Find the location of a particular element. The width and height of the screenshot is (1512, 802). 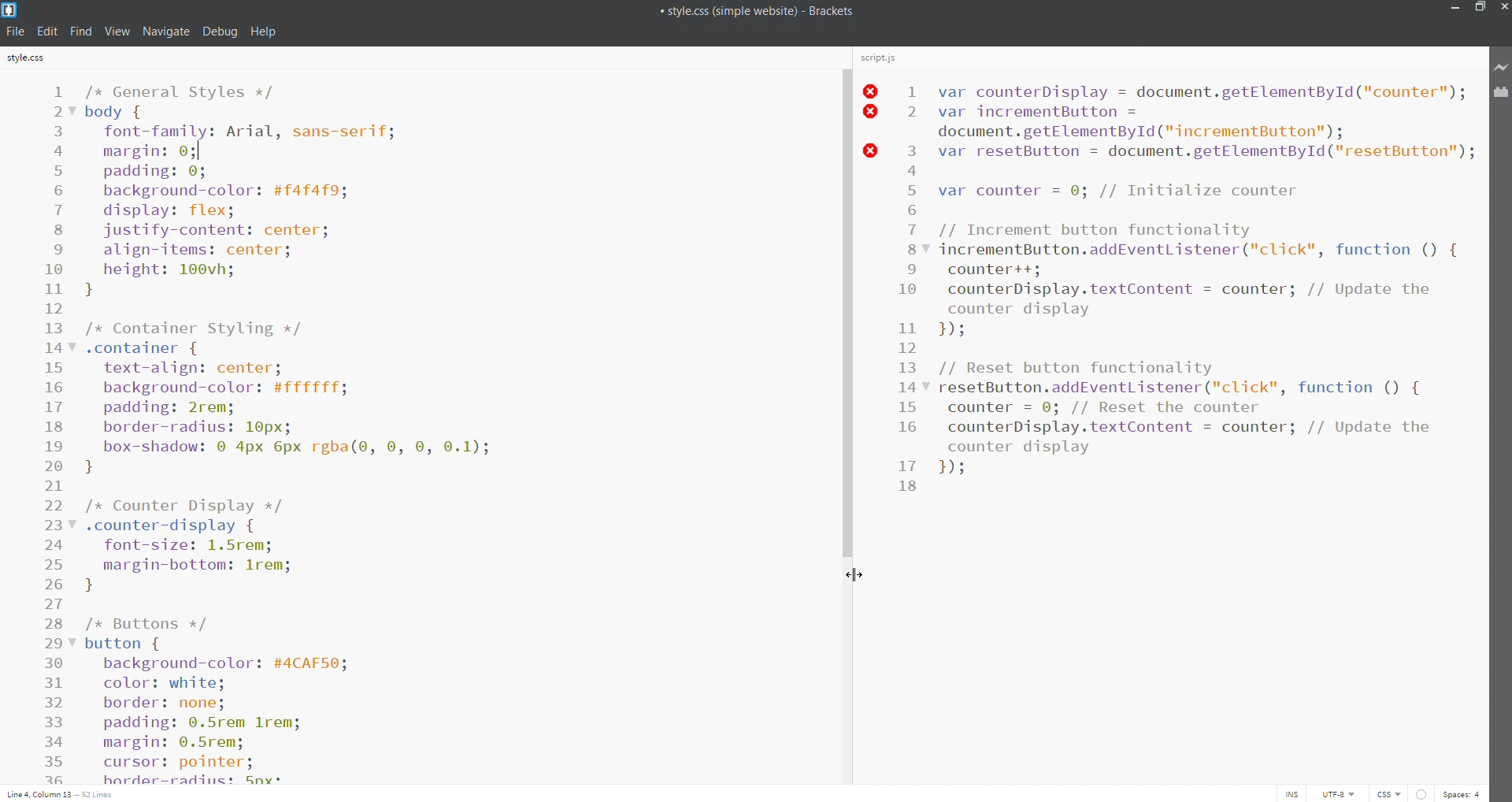

errors is located at coordinates (1422, 793).